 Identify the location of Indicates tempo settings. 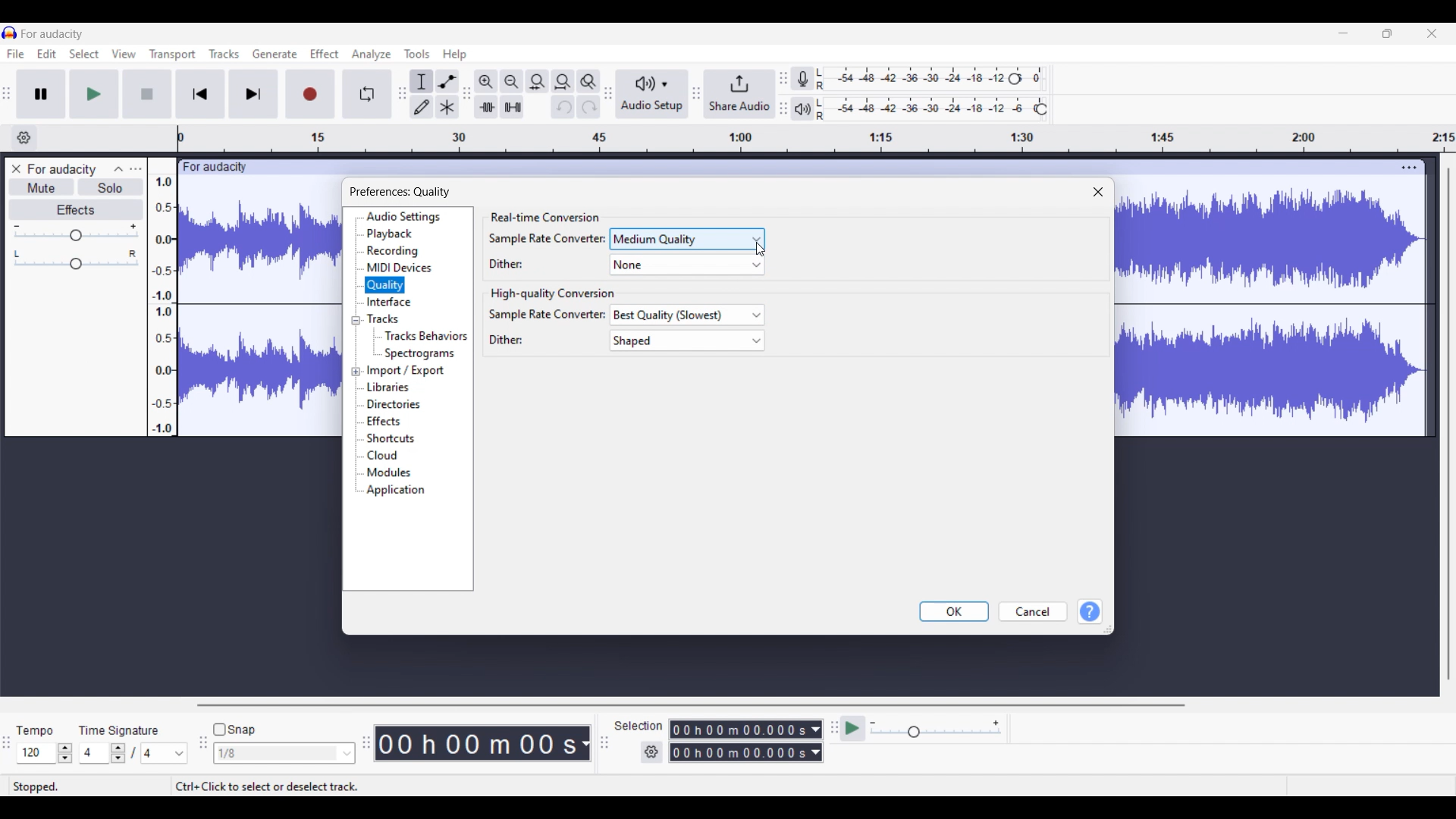
(35, 731).